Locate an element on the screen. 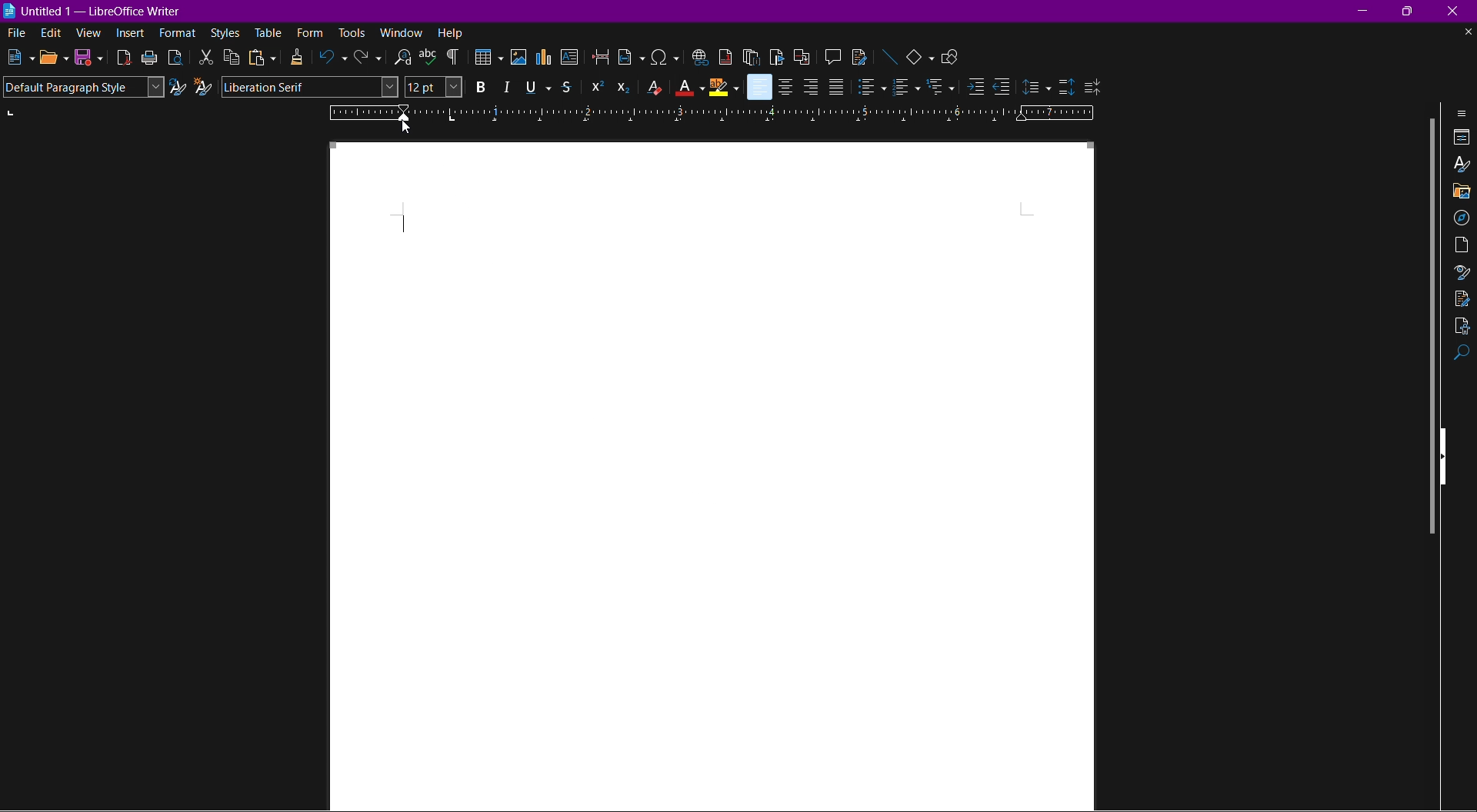 The height and width of the screenshot is (812, 1477). Insert Graph is located at coordinates (545, 59).